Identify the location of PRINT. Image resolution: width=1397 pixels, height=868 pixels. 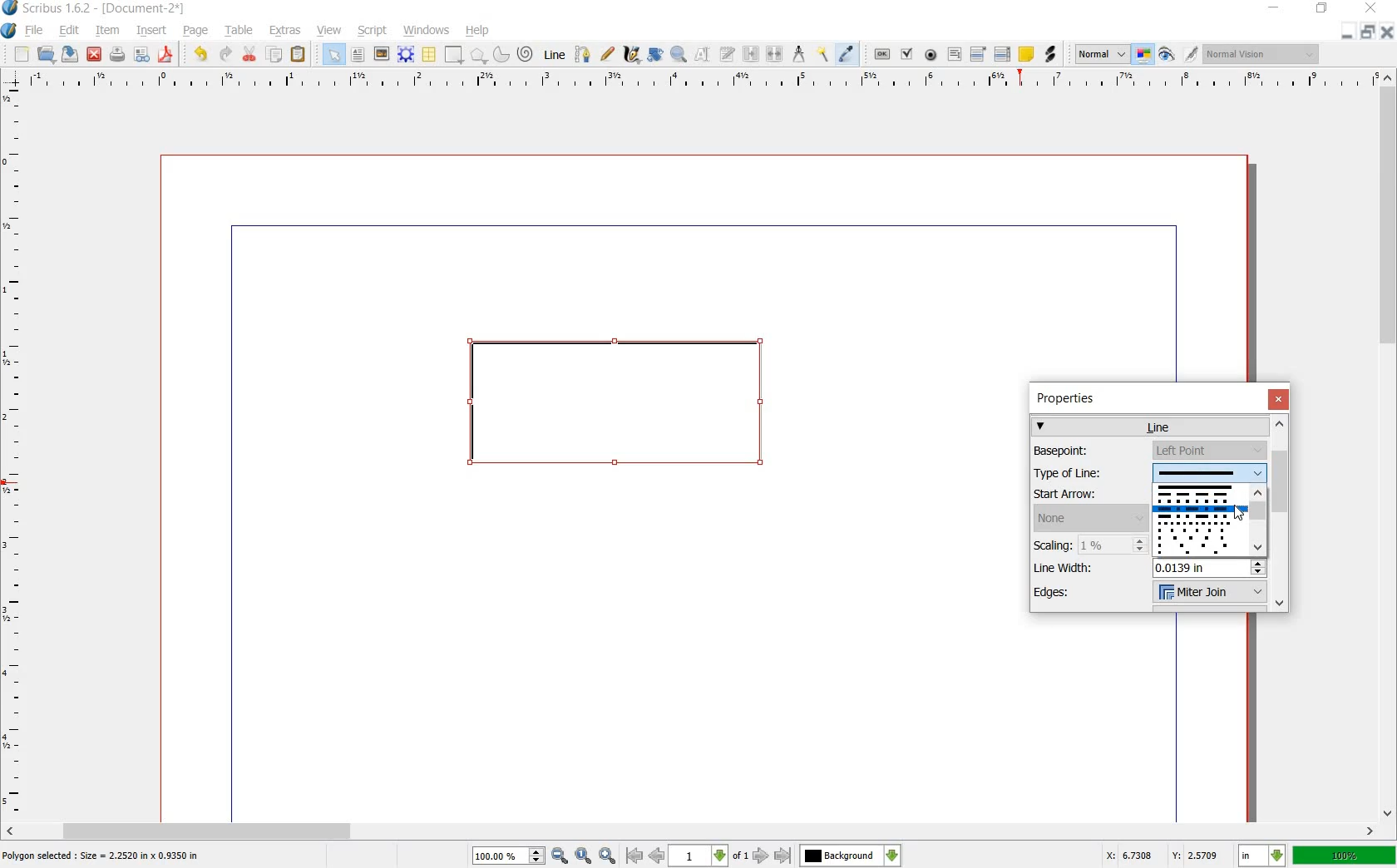
(117, 55).